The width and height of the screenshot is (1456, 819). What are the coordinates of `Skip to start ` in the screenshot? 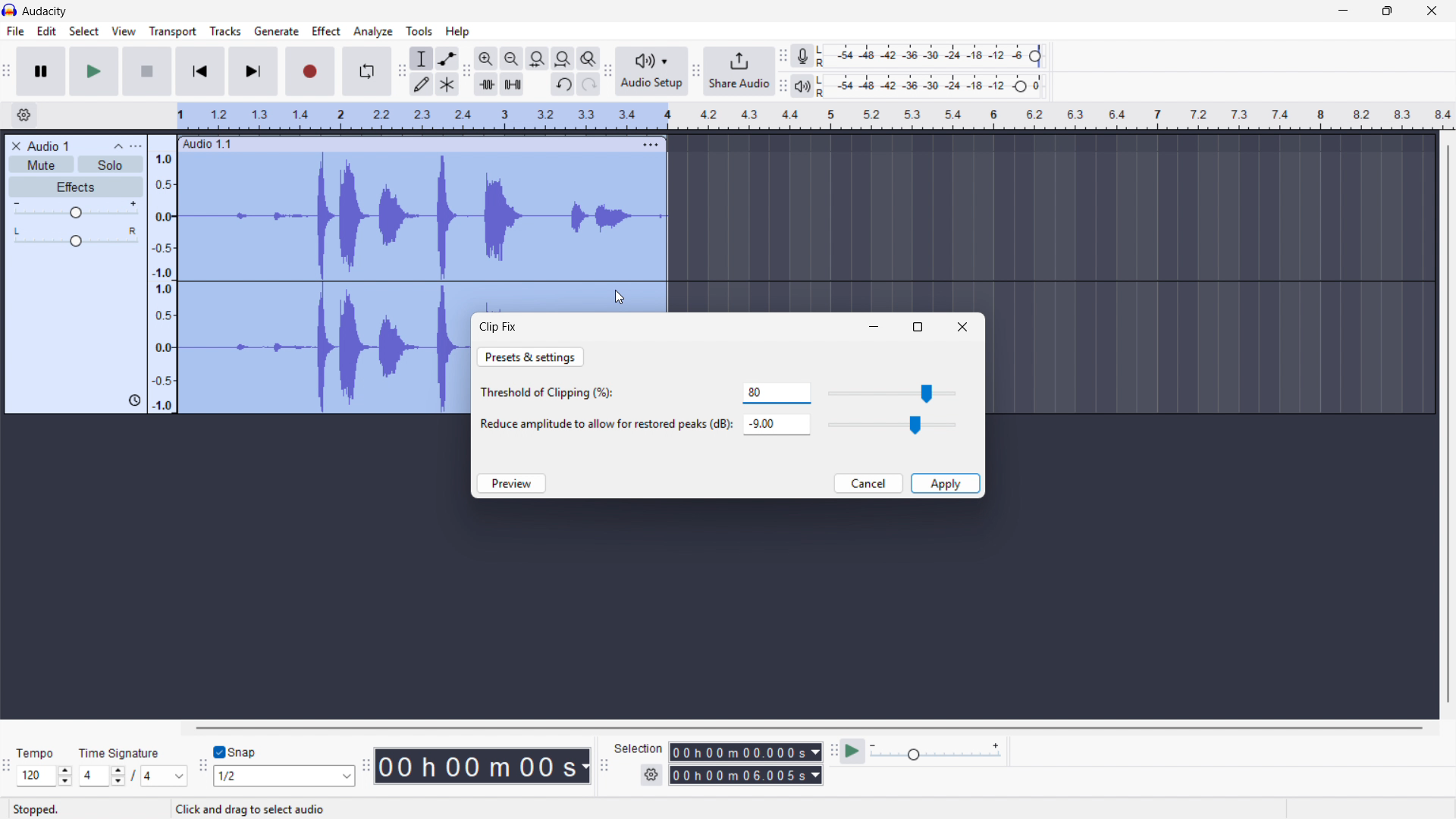 It's located at (199, 71).